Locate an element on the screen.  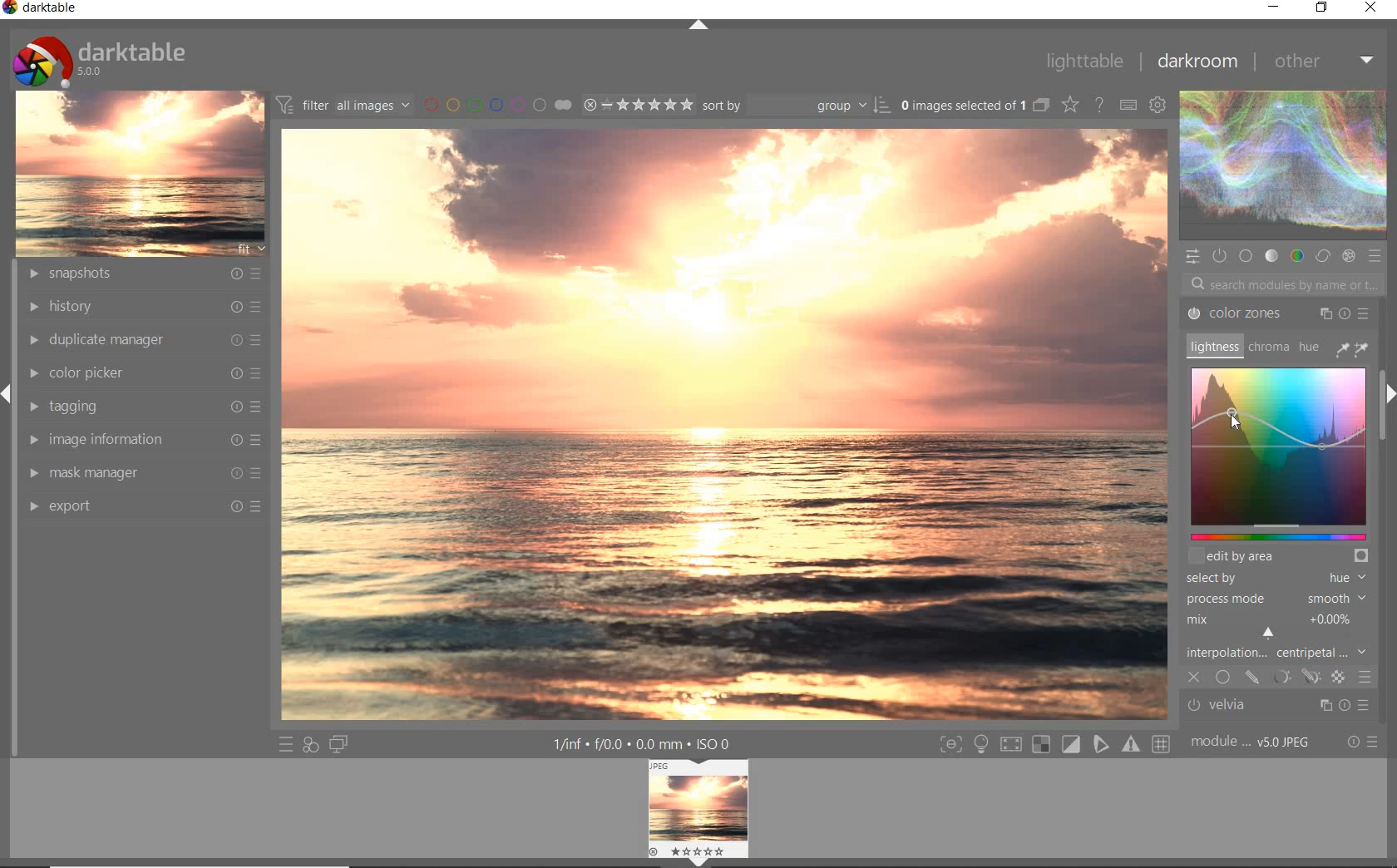
EDIT BY AREA is located at coordinates (1281, 555).